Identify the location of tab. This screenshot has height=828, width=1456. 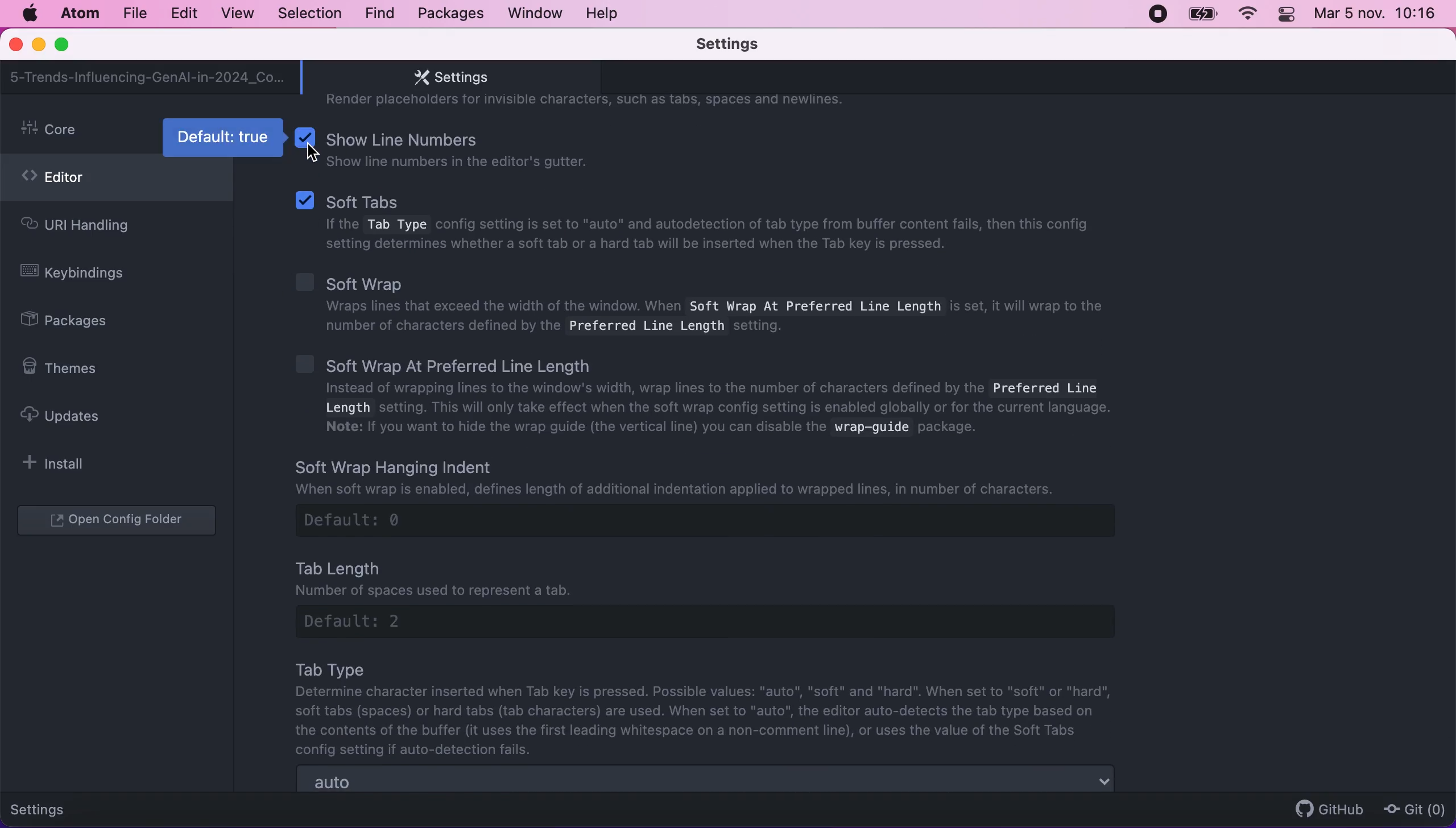
(148, 77).